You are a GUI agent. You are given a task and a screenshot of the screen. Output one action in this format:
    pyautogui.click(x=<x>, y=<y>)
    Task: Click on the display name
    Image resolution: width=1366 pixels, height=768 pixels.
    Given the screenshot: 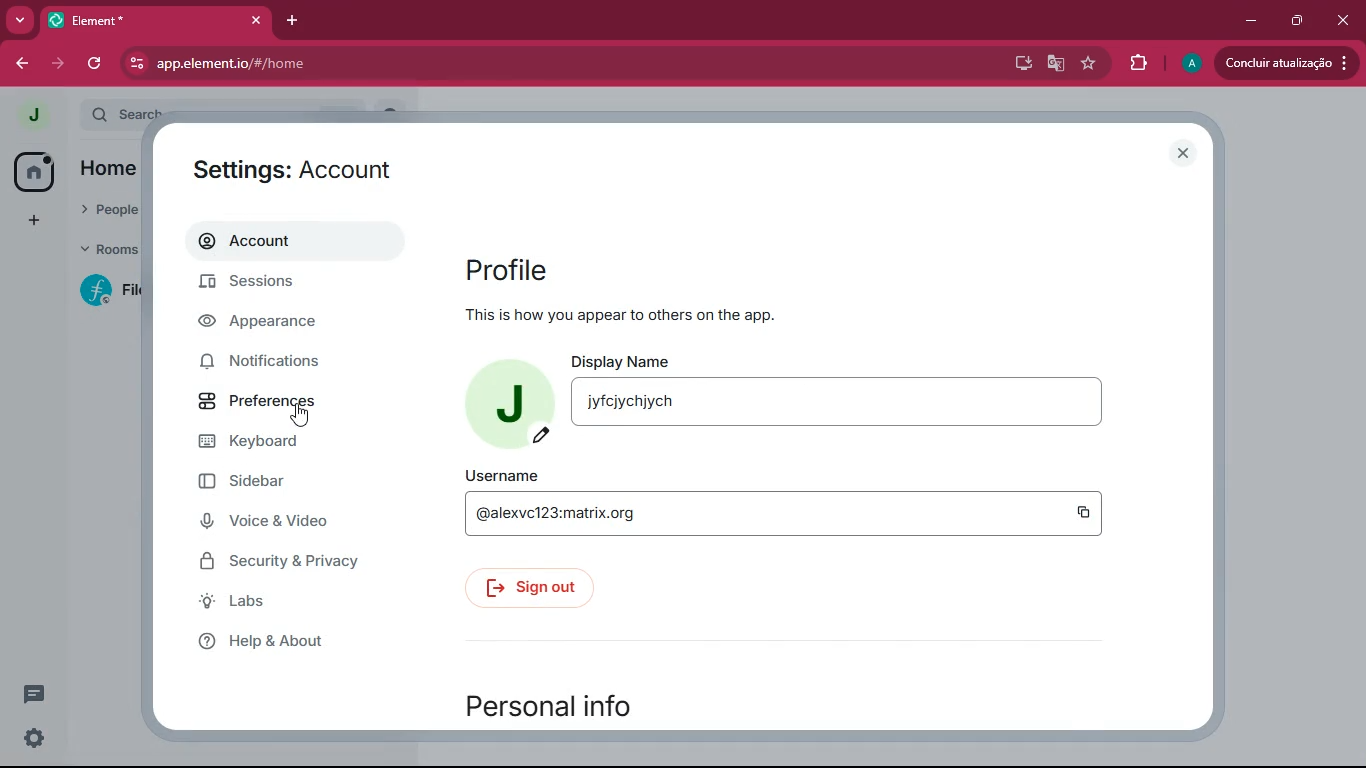 What is the action you would take?
    pyautogui.click(x=840, y=389)
    